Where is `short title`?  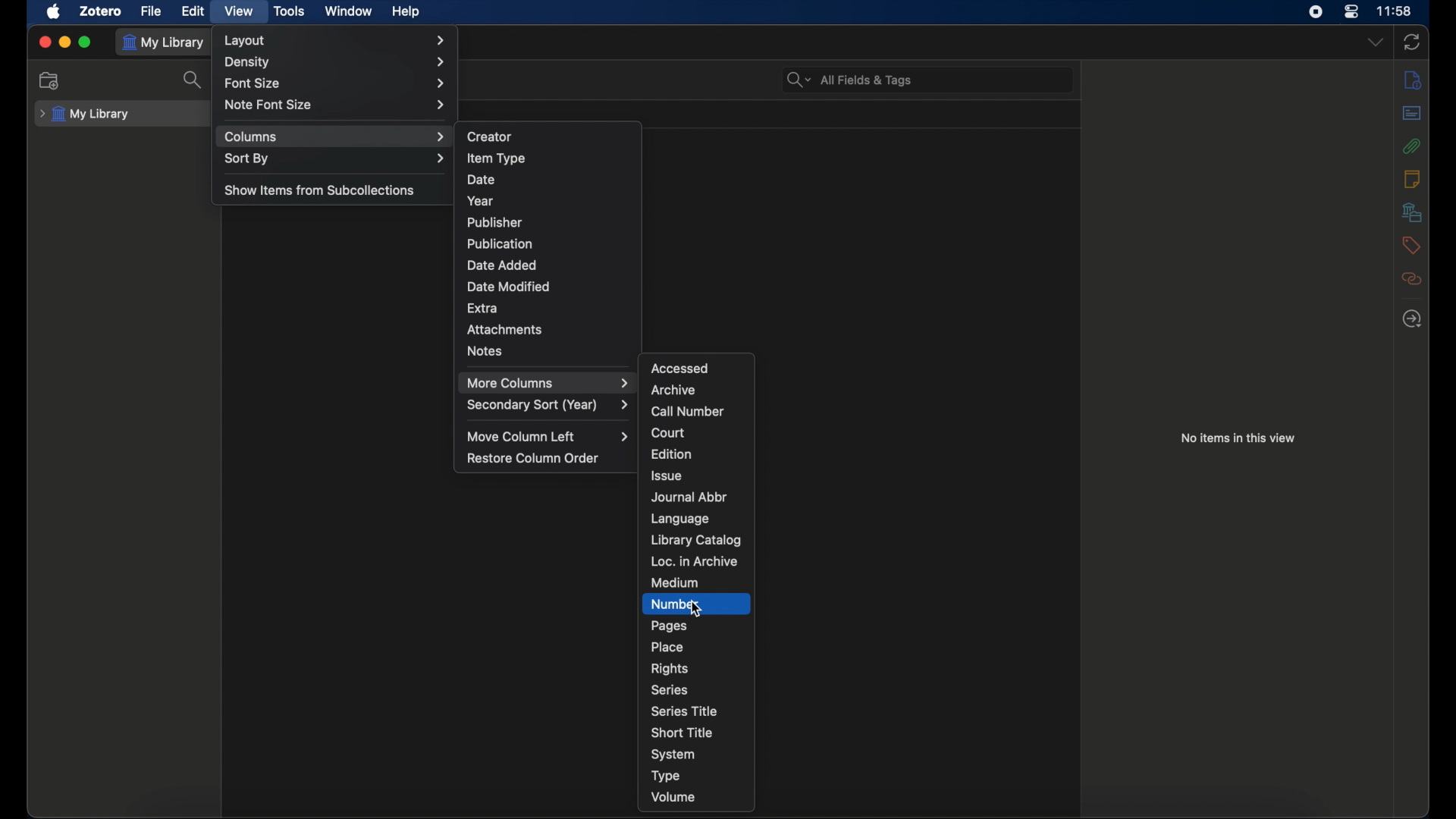
short title is located at coordinates (679, 733).